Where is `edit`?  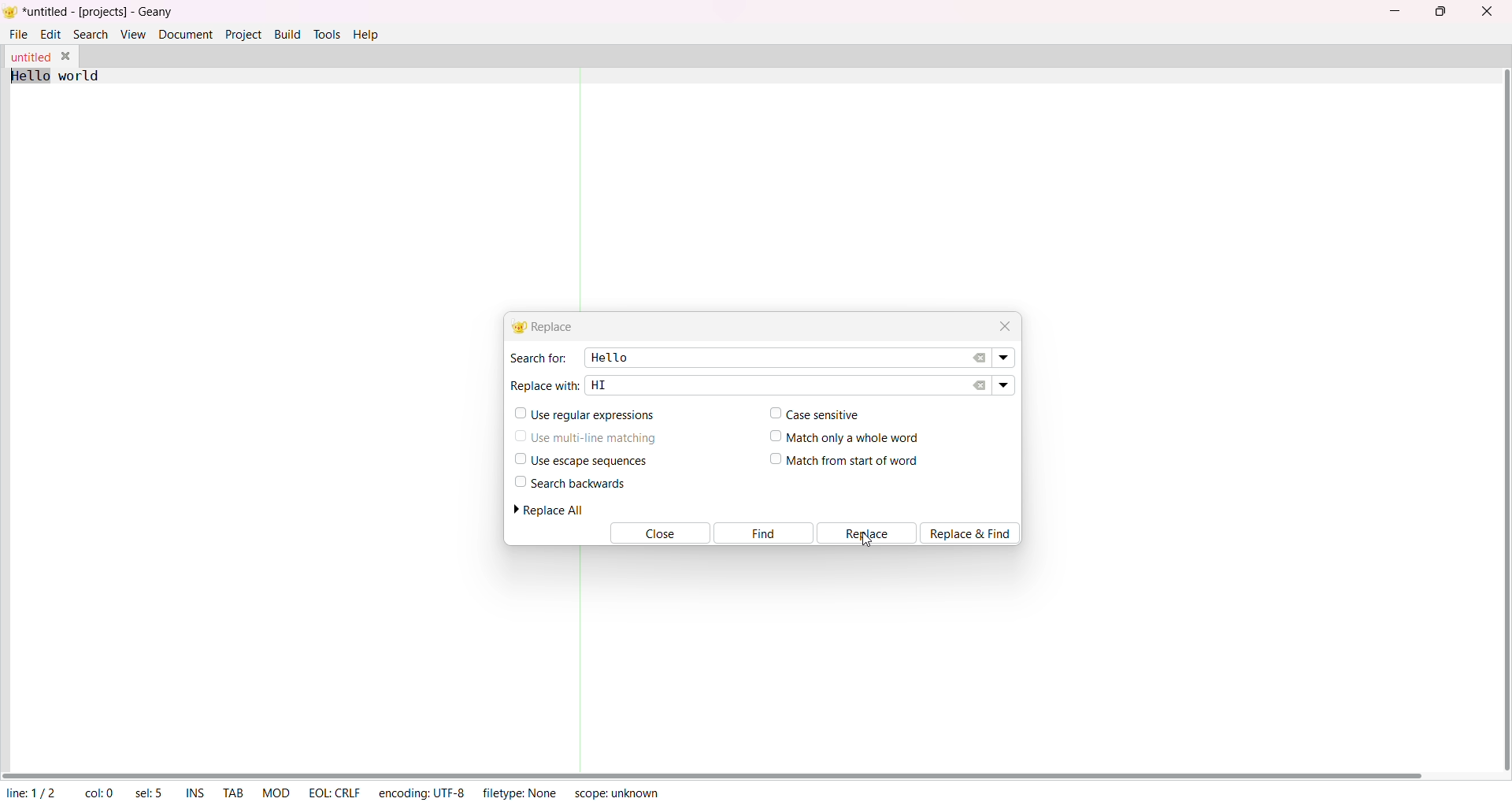
edit is located at coordinates (51, 33).